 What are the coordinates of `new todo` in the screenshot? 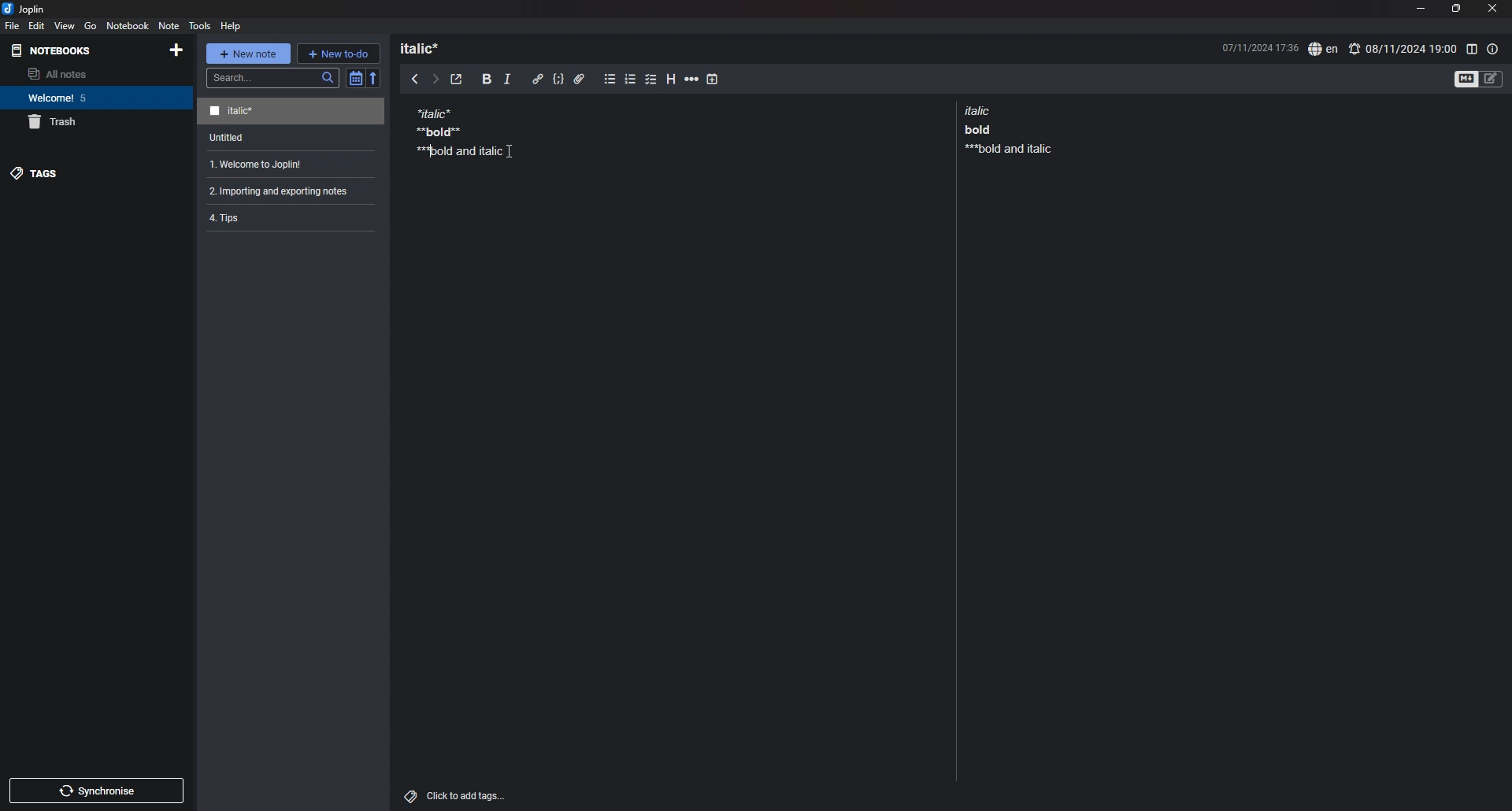 It's located at (338, 53).